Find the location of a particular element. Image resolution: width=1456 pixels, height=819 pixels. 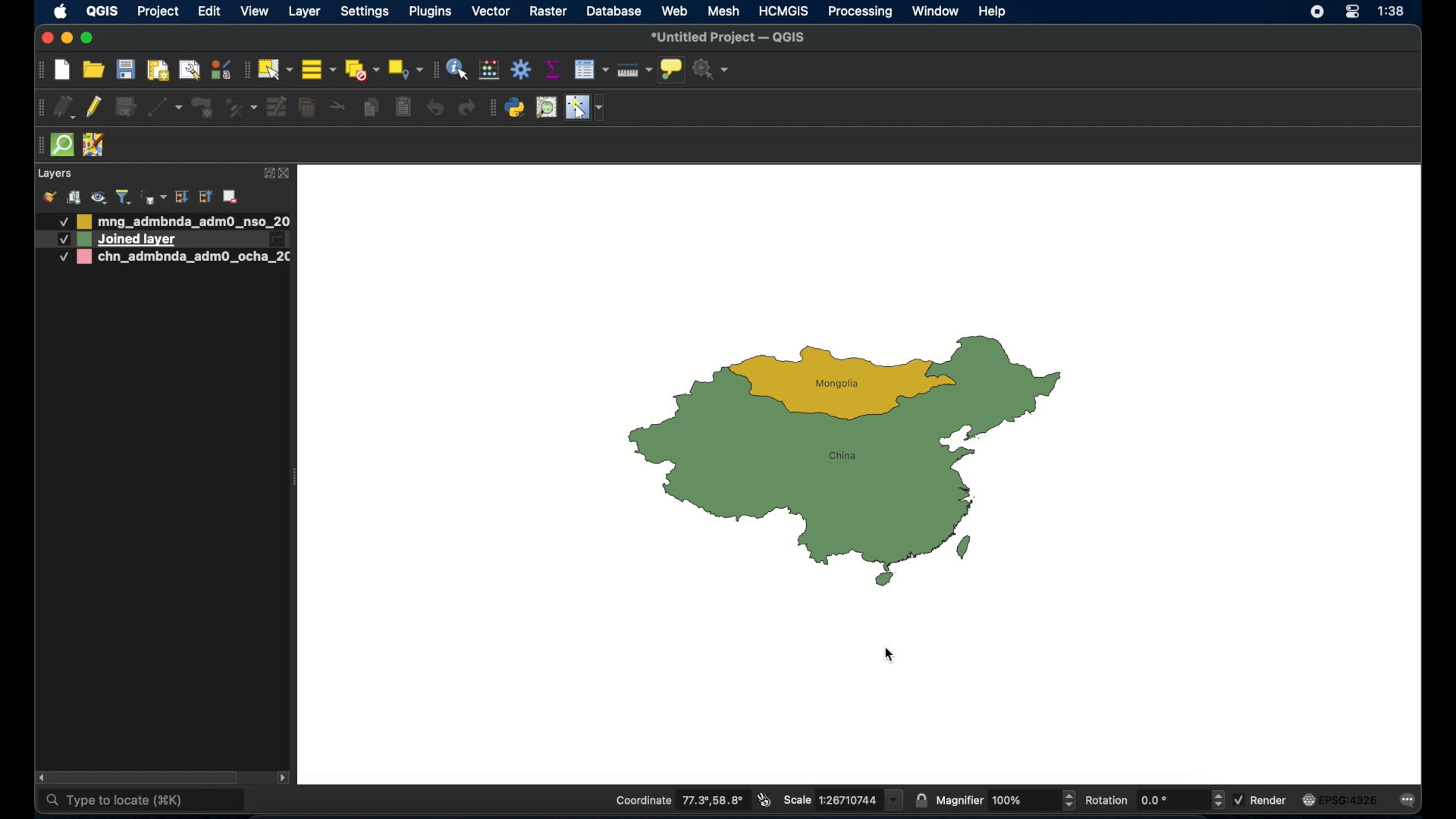

python console is located at coordinates (516, 108).